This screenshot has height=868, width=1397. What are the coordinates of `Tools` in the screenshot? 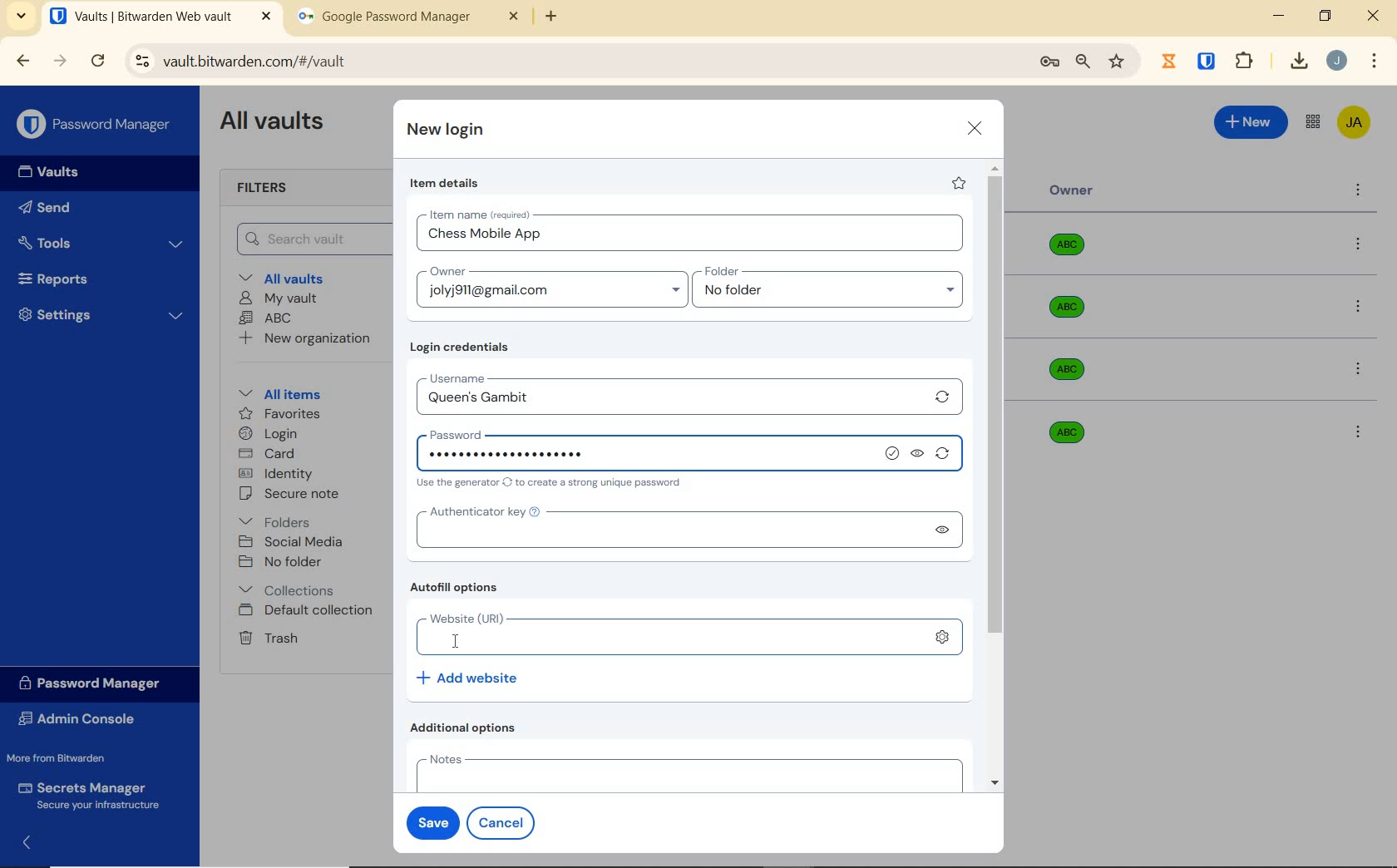 It's located at (101, 244).